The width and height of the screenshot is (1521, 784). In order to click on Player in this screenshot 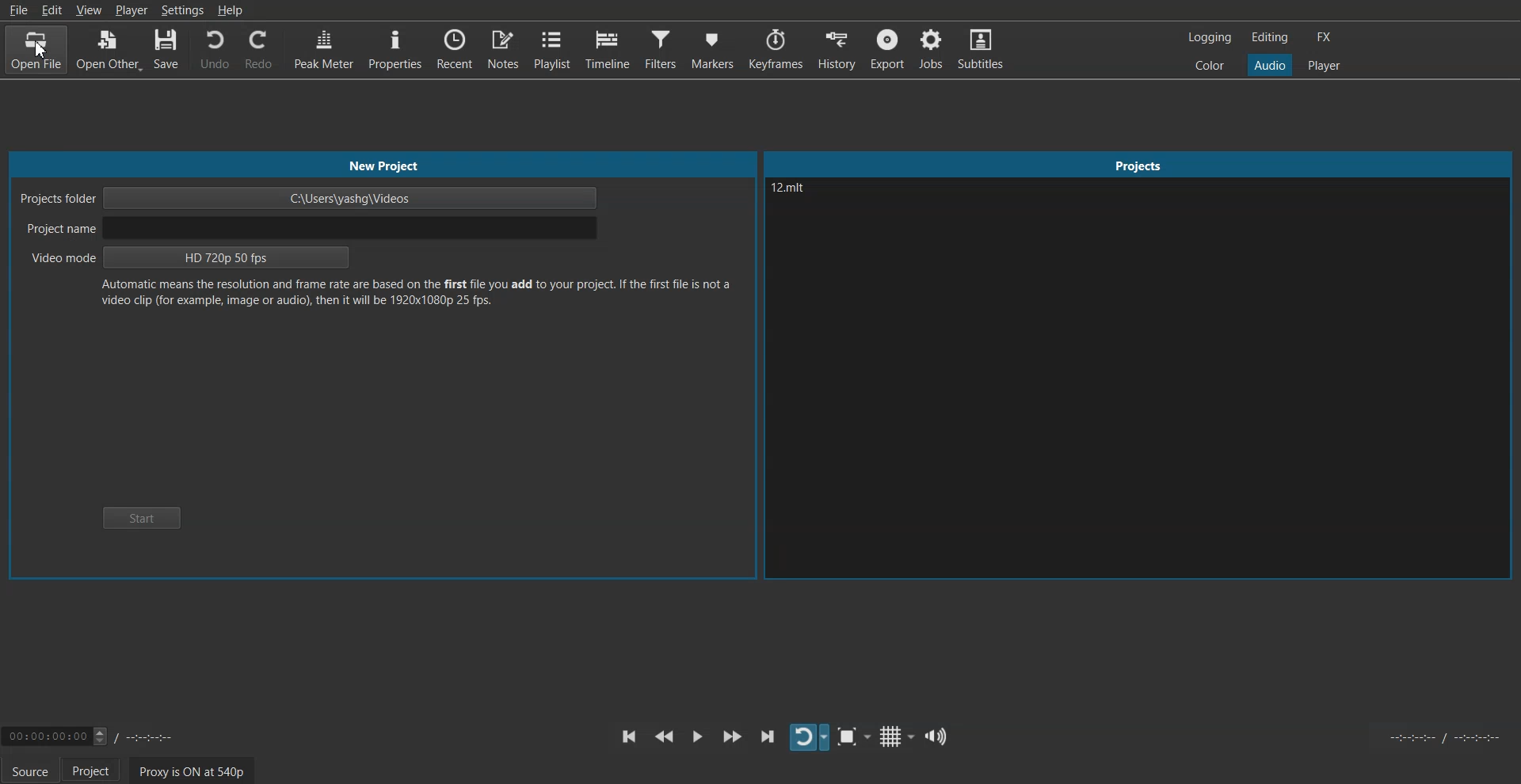, I will do `click(131, 10)`.